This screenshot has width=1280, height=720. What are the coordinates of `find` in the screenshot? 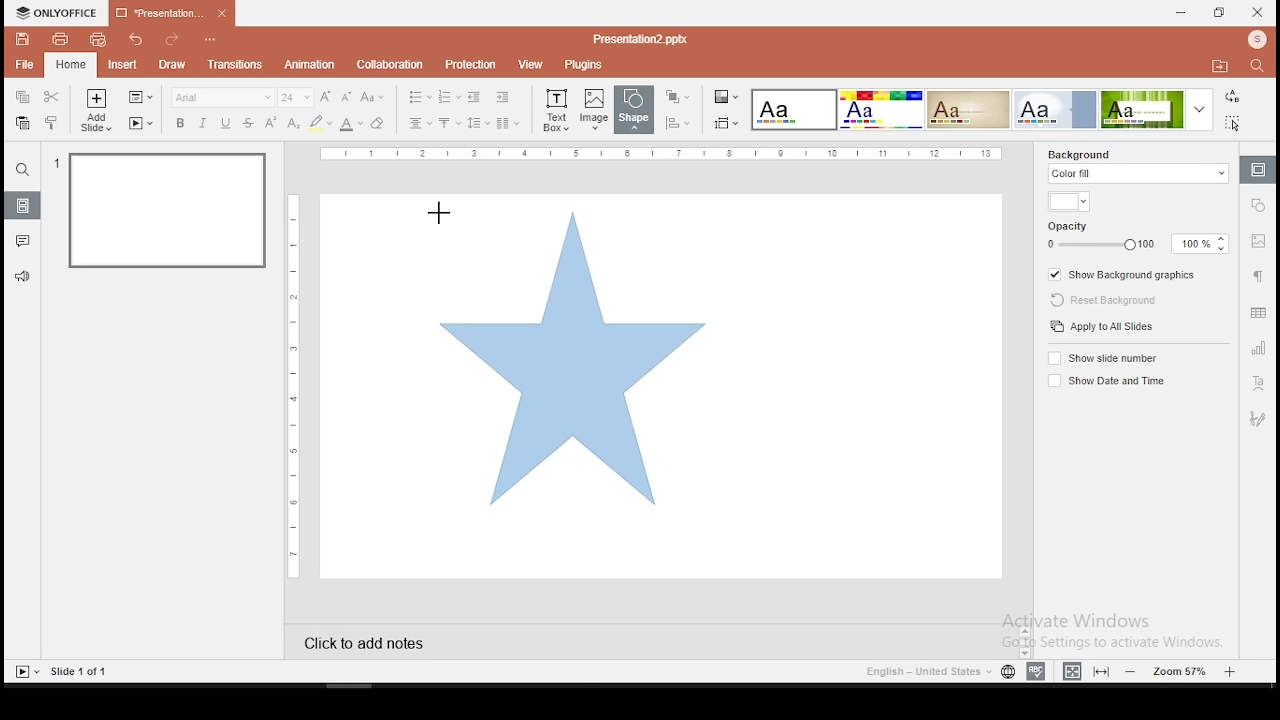 It's located at (1261, 68).